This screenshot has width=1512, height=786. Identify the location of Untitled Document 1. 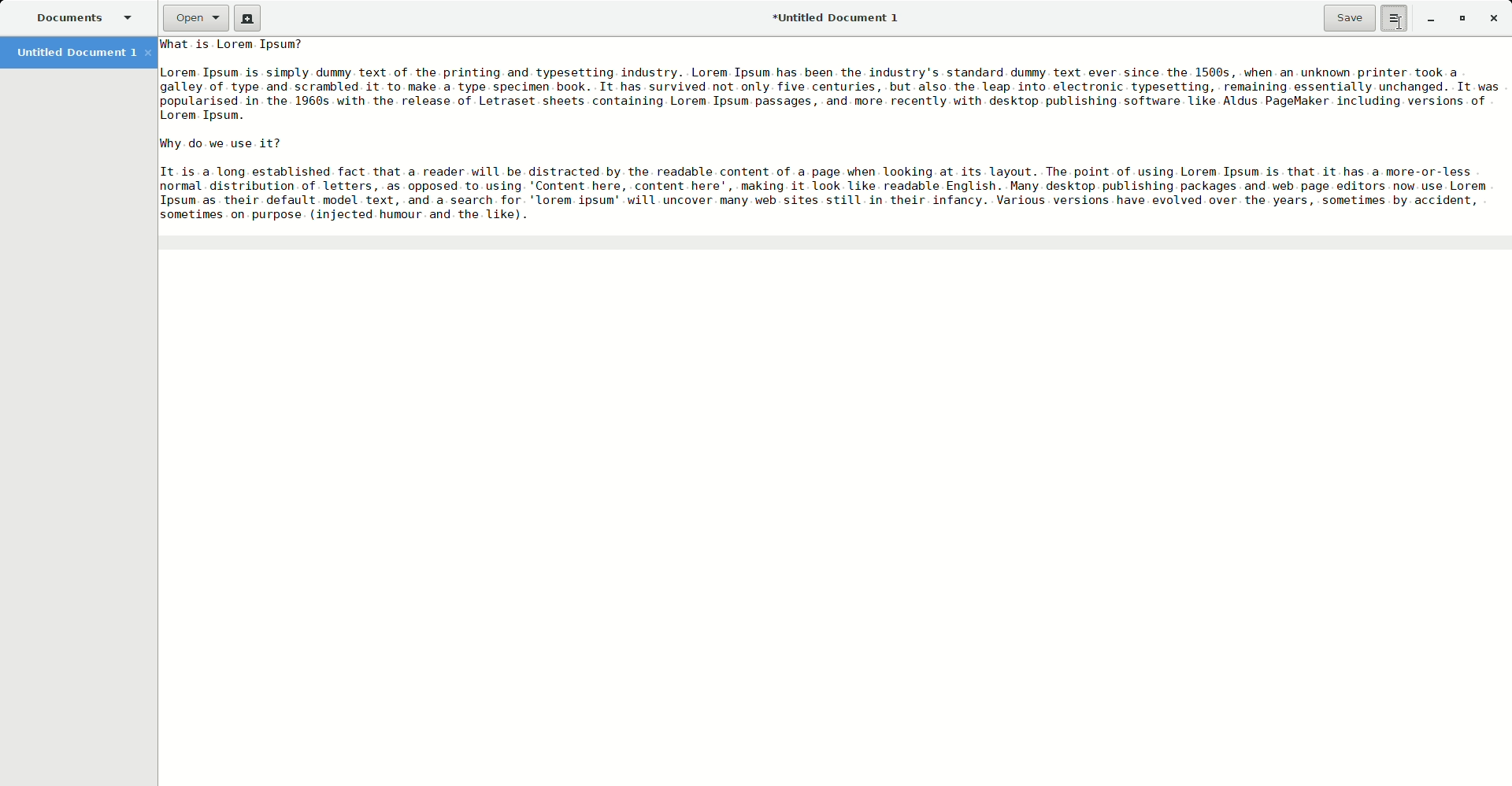
(82, 54).